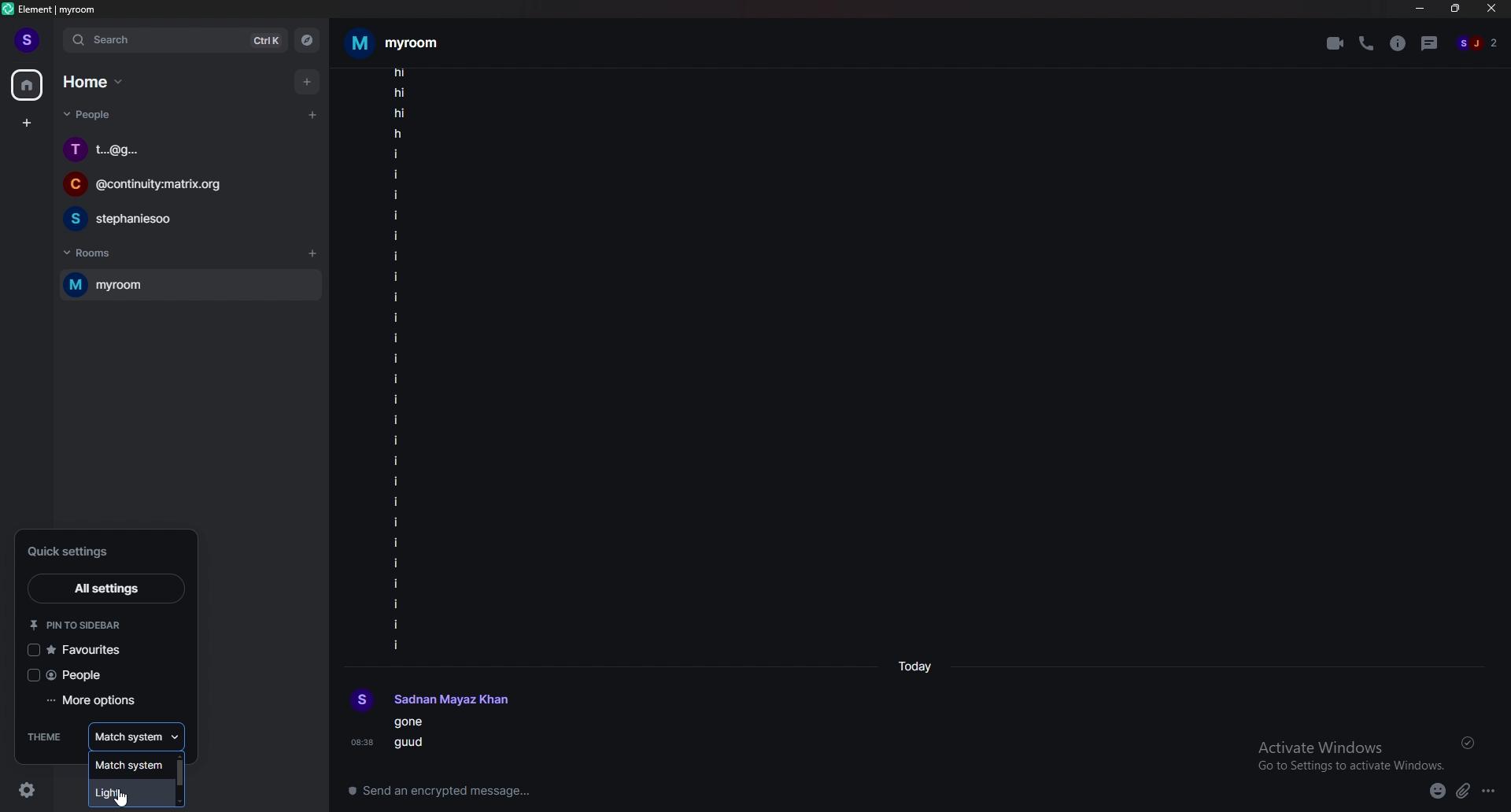 This screenshot has height=812, width=1511. Describe the element at coordinates (1463, 791) in the screenshot. I see `attachment` at that location.